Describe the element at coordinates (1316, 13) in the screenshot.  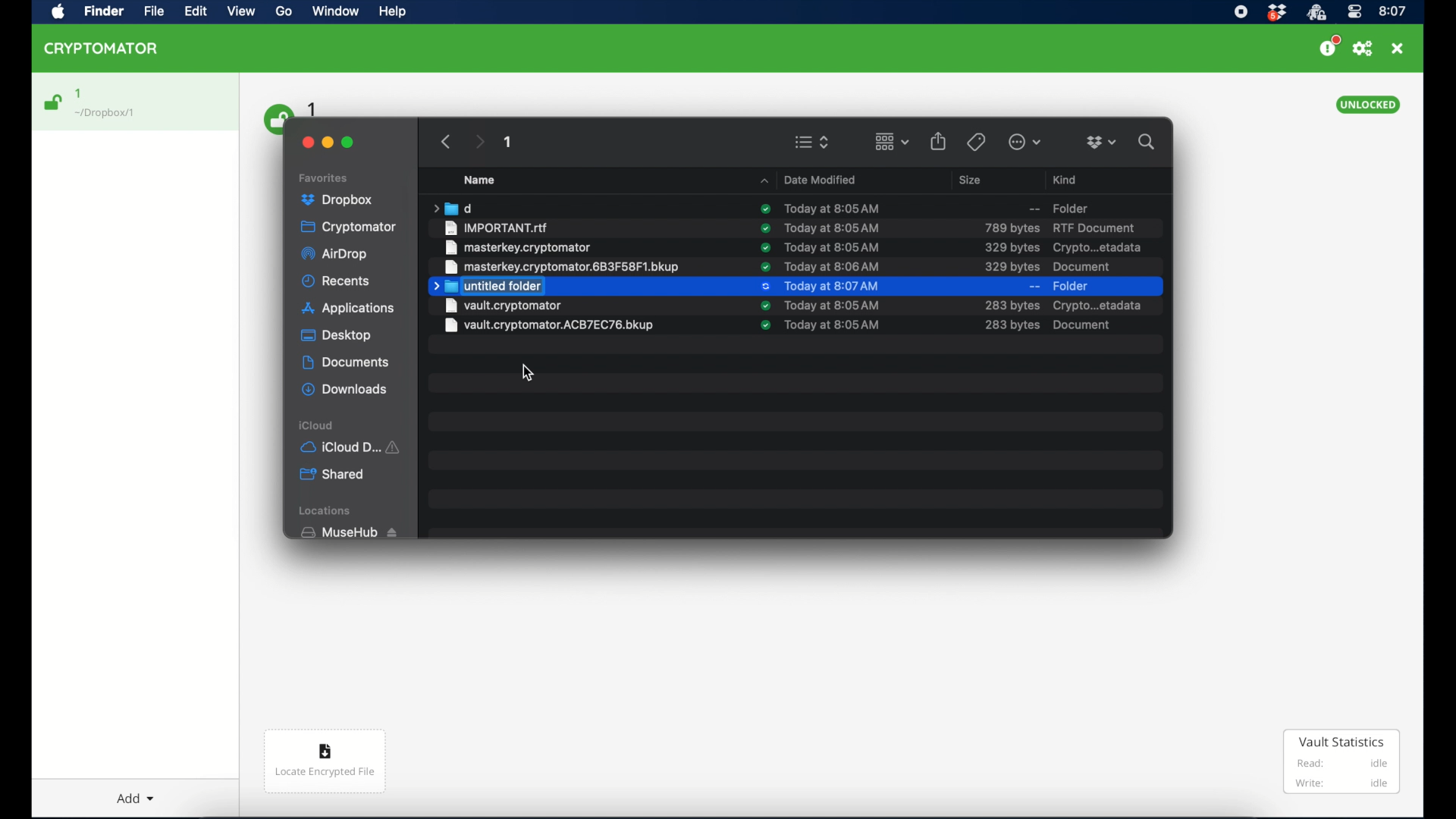
I see `crytptomator` at that location.